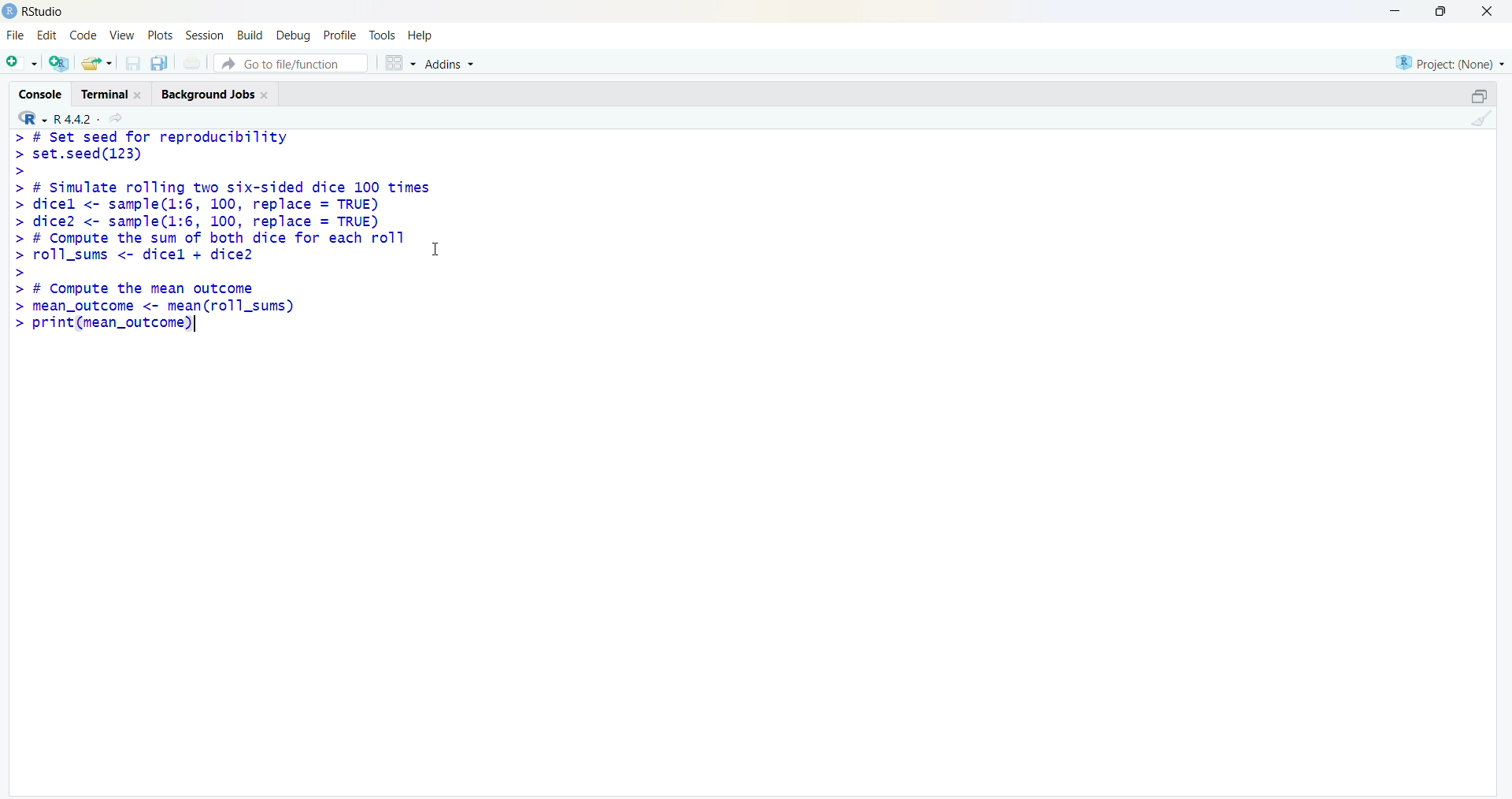 The width and height of the screenshot is (1512, 799). What do you see at coordinates (104, 95) in the screenshot?
I see `terminal` at bounding box center [104, 95].